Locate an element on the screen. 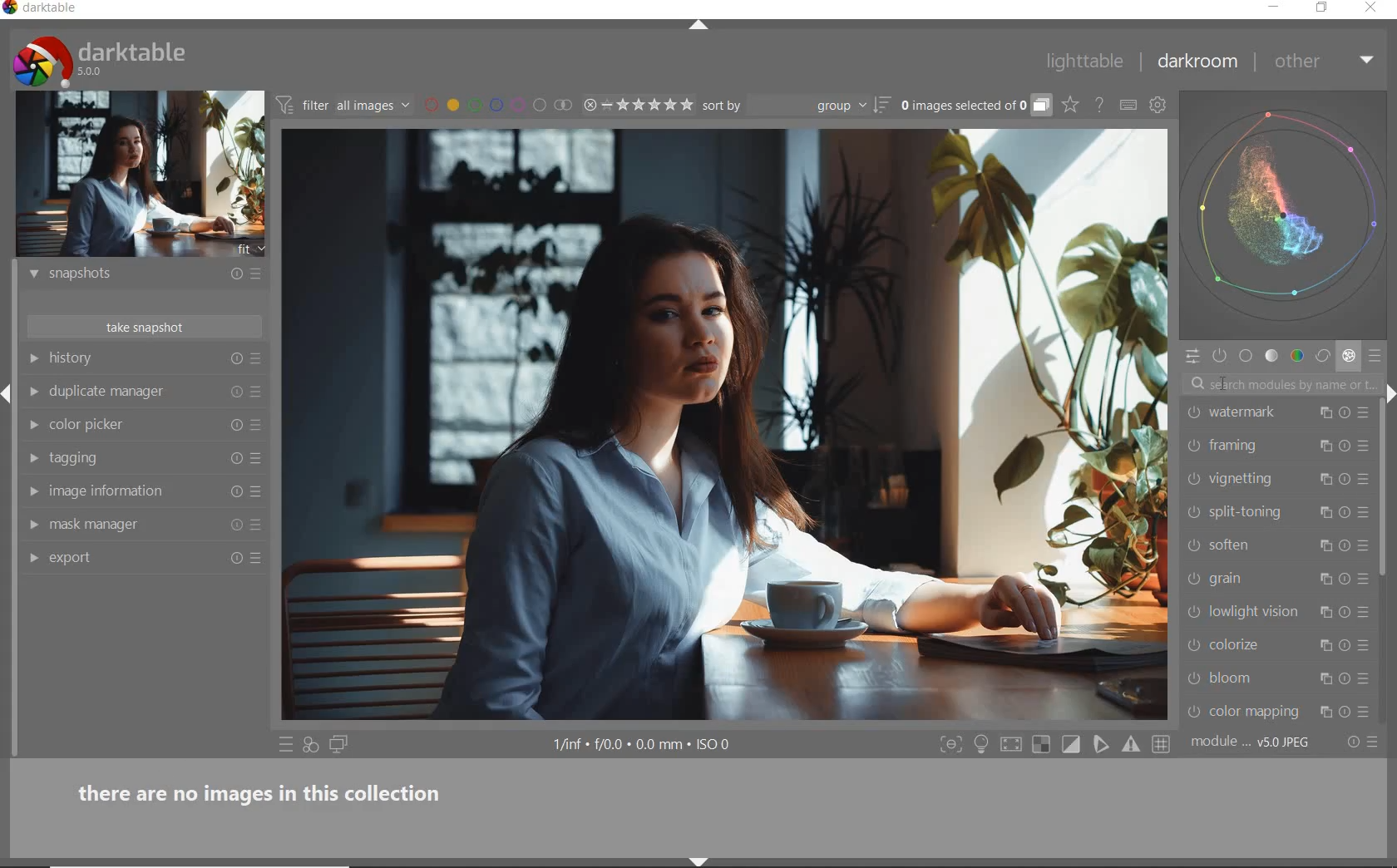  reset is located at coordinates (234, 560).